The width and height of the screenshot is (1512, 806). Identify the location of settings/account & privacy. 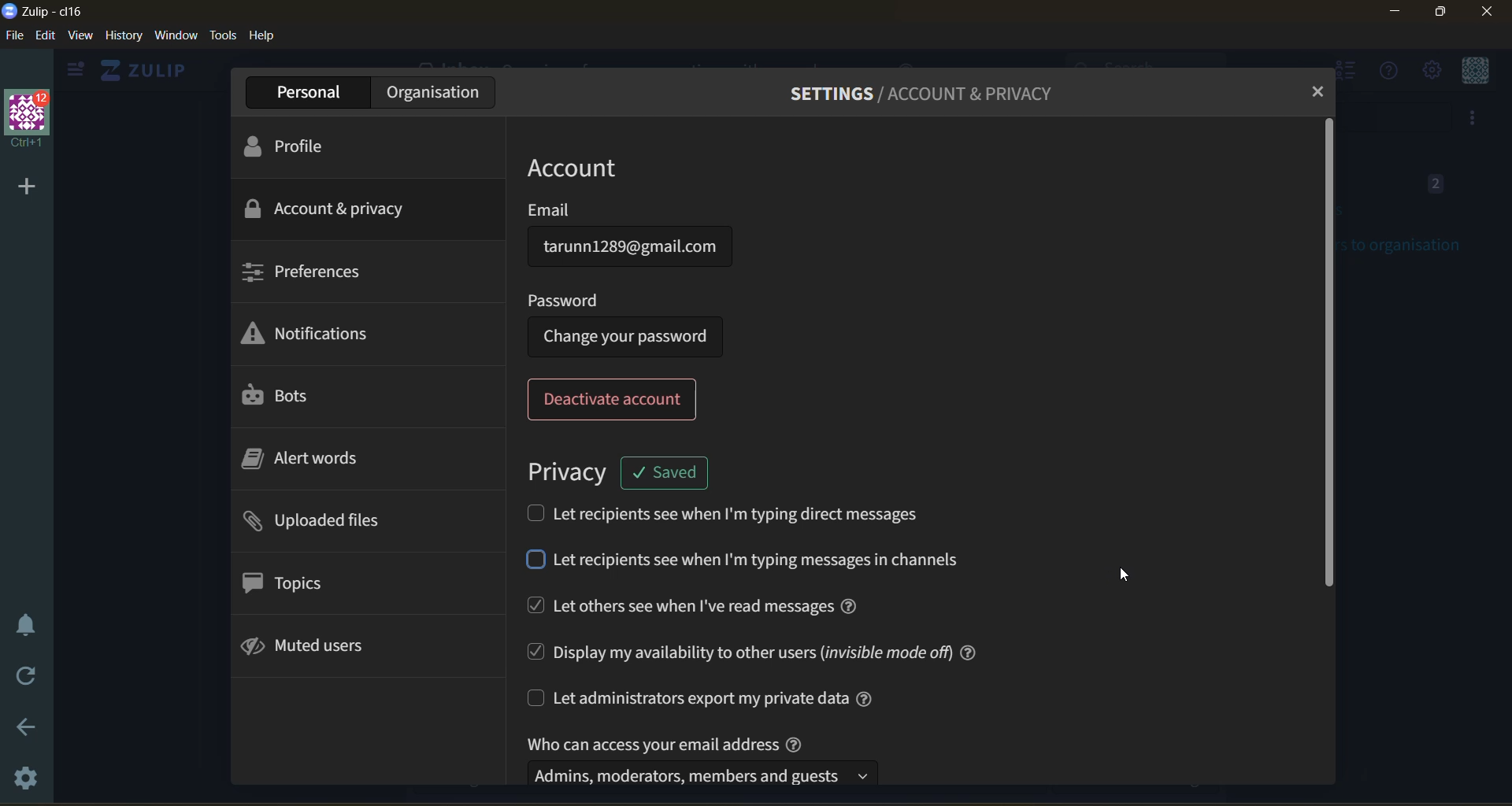
(936, 93).